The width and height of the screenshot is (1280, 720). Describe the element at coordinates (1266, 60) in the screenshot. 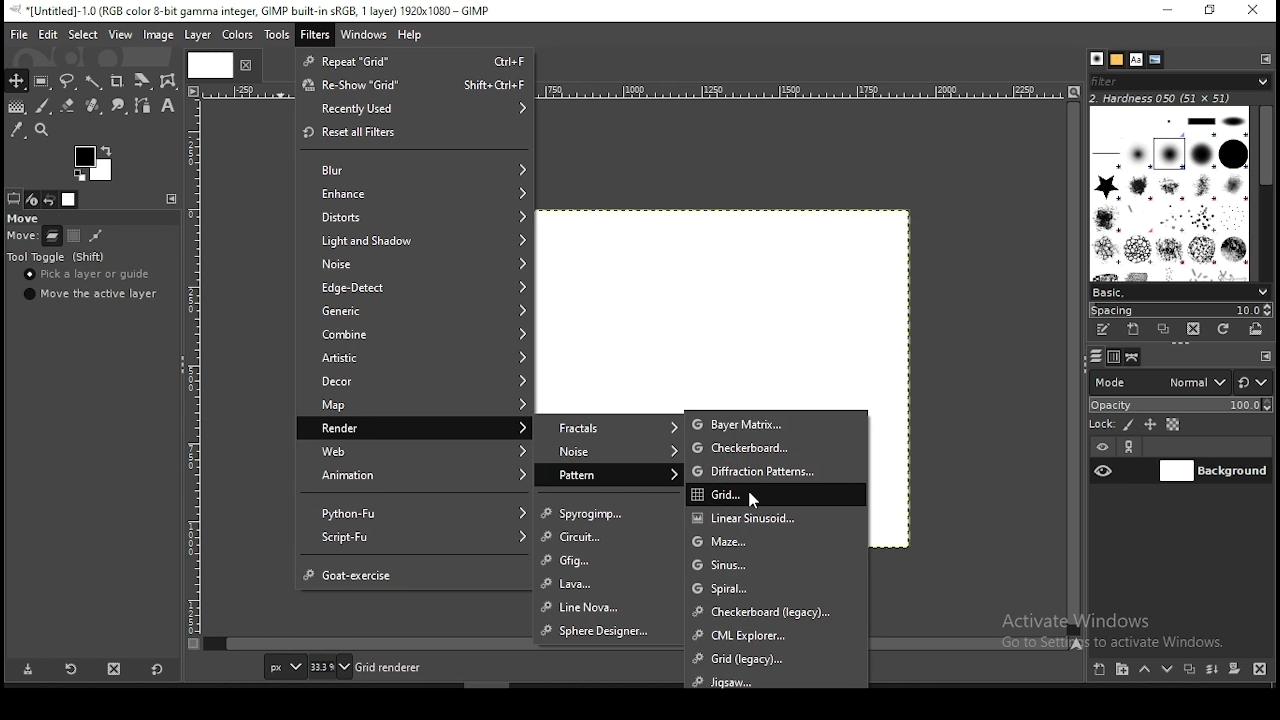

I see `cinfigure this tab` at that location.